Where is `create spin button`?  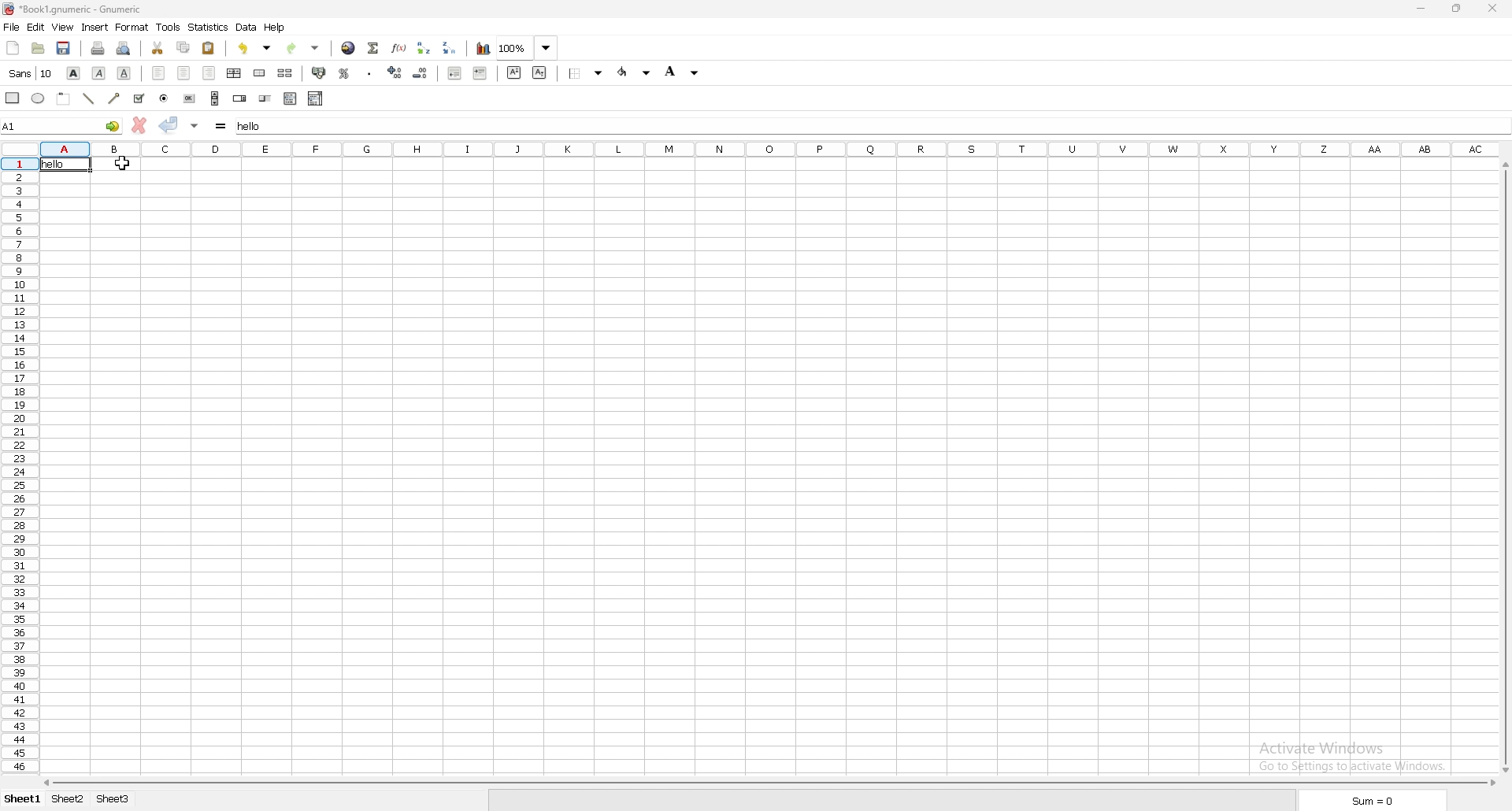 create spin button is located at coordinates (240, 98).